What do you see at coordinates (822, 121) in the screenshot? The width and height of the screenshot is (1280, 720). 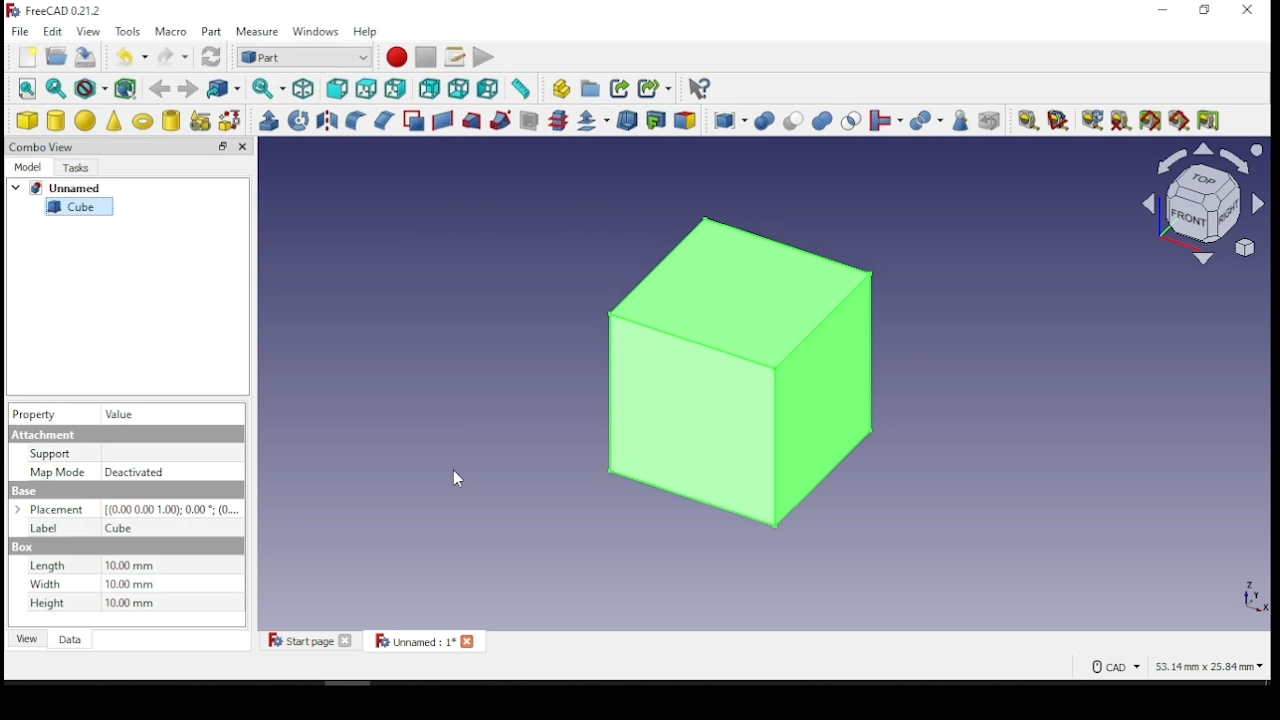 I see `union` at bounding box center [822, 121].